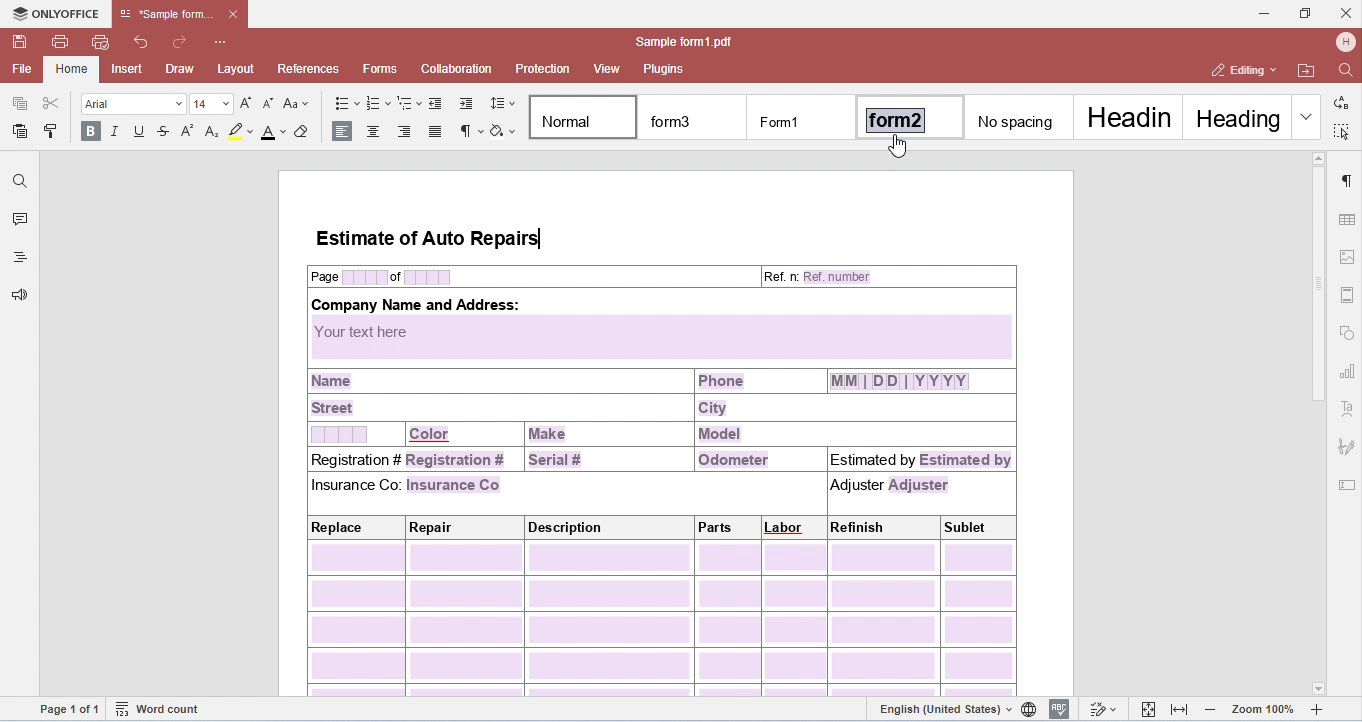  I want to click on paragraph line spacing, so click(501, 104).